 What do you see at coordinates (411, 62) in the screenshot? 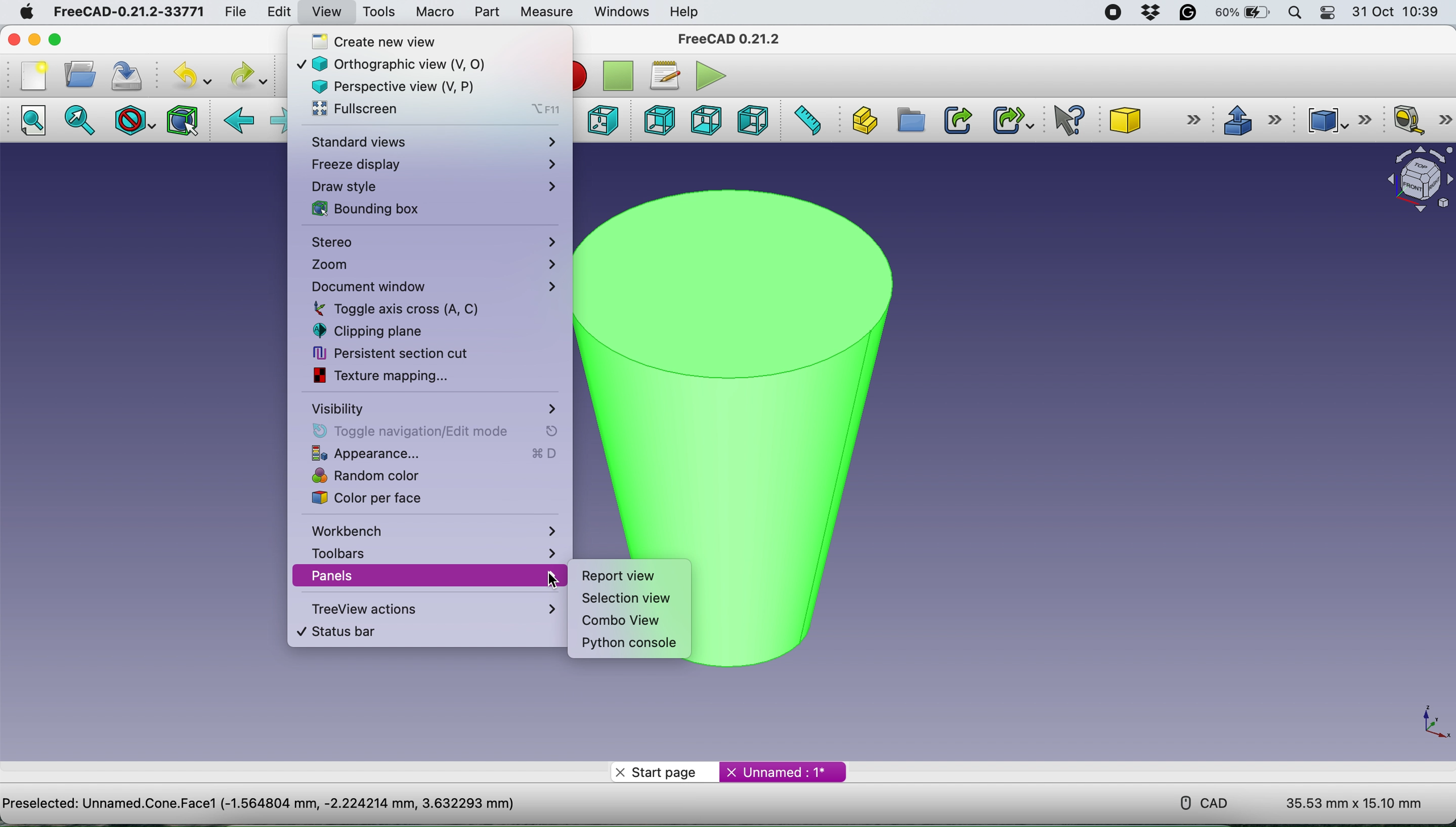
I see `orthographic view (V,O)` at bounding box center [411, 62].